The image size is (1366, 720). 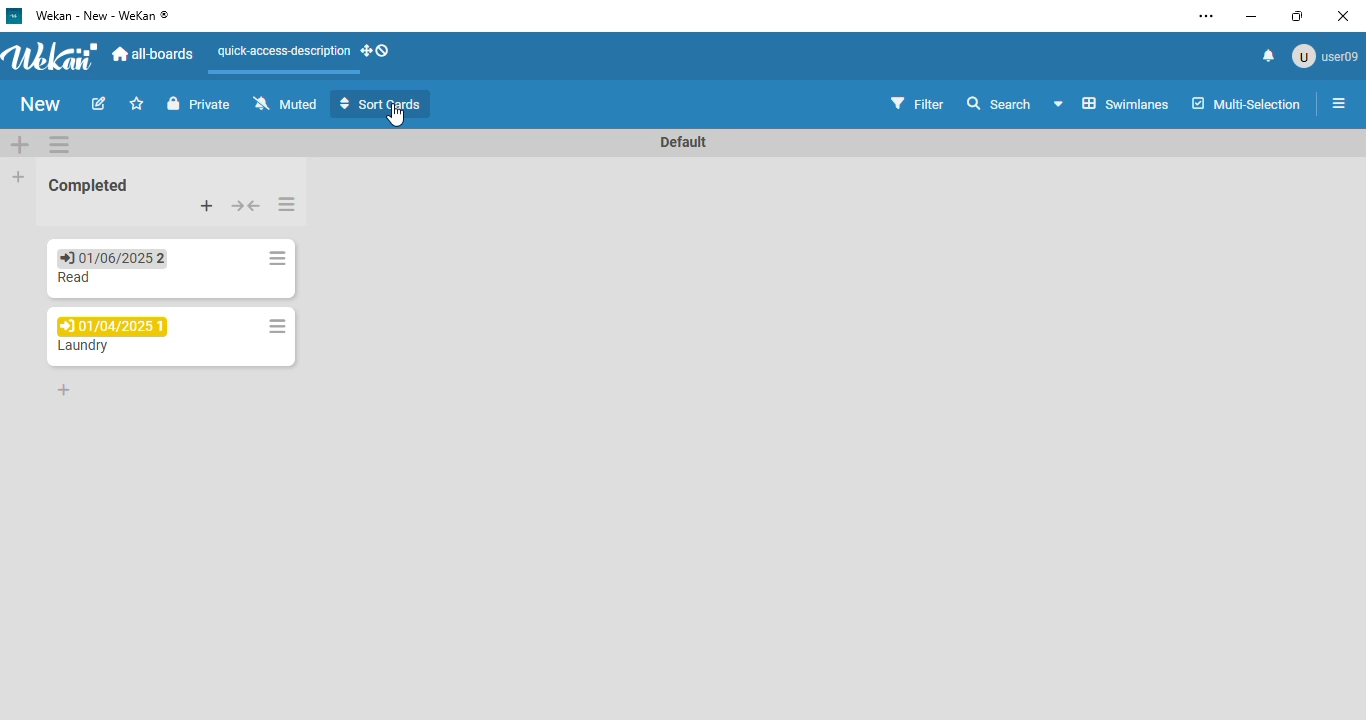 I want to click on Completed, so click(x=89, y=185).